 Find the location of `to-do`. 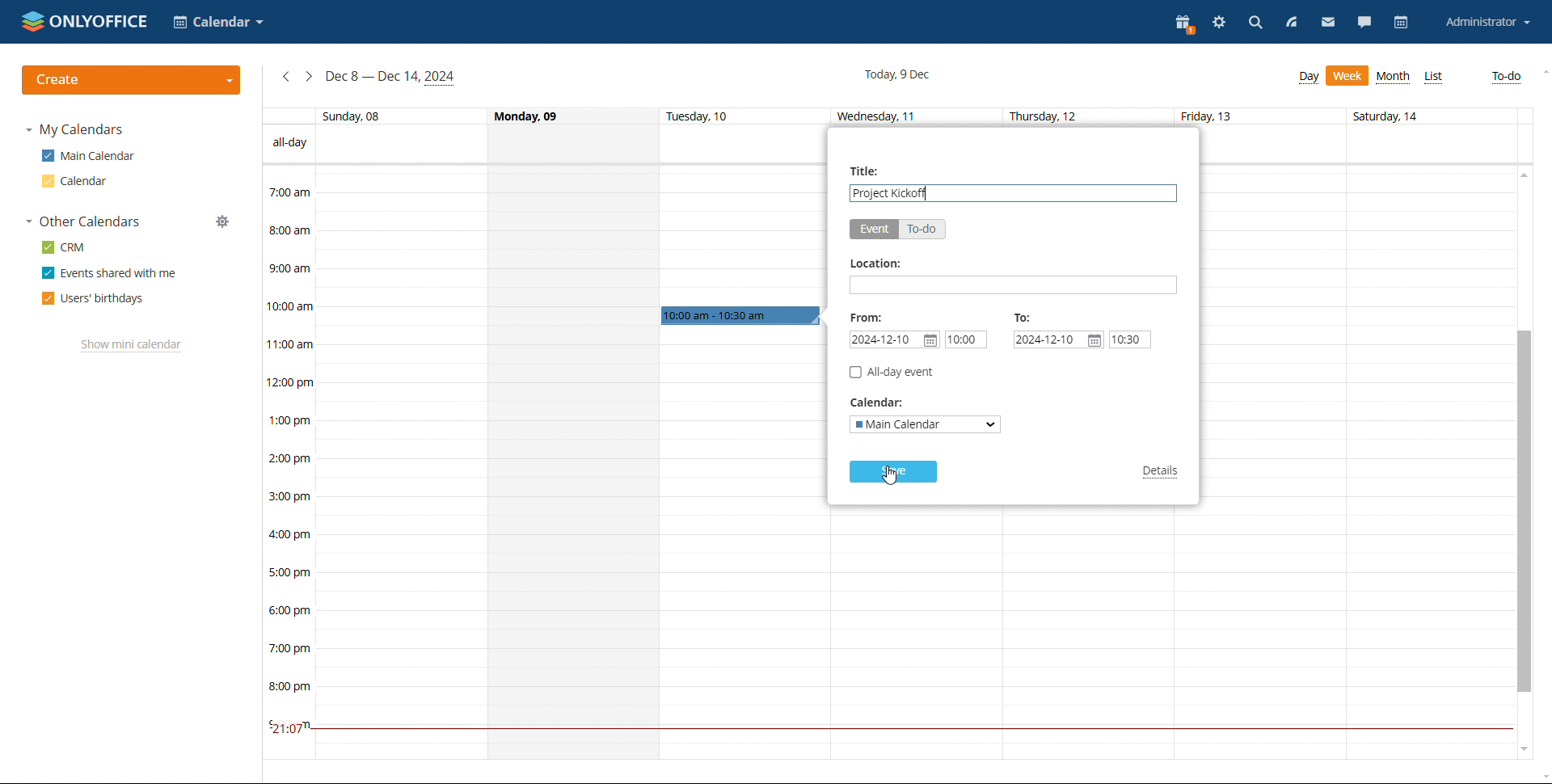

to-do is located at coordinates (922, 229).